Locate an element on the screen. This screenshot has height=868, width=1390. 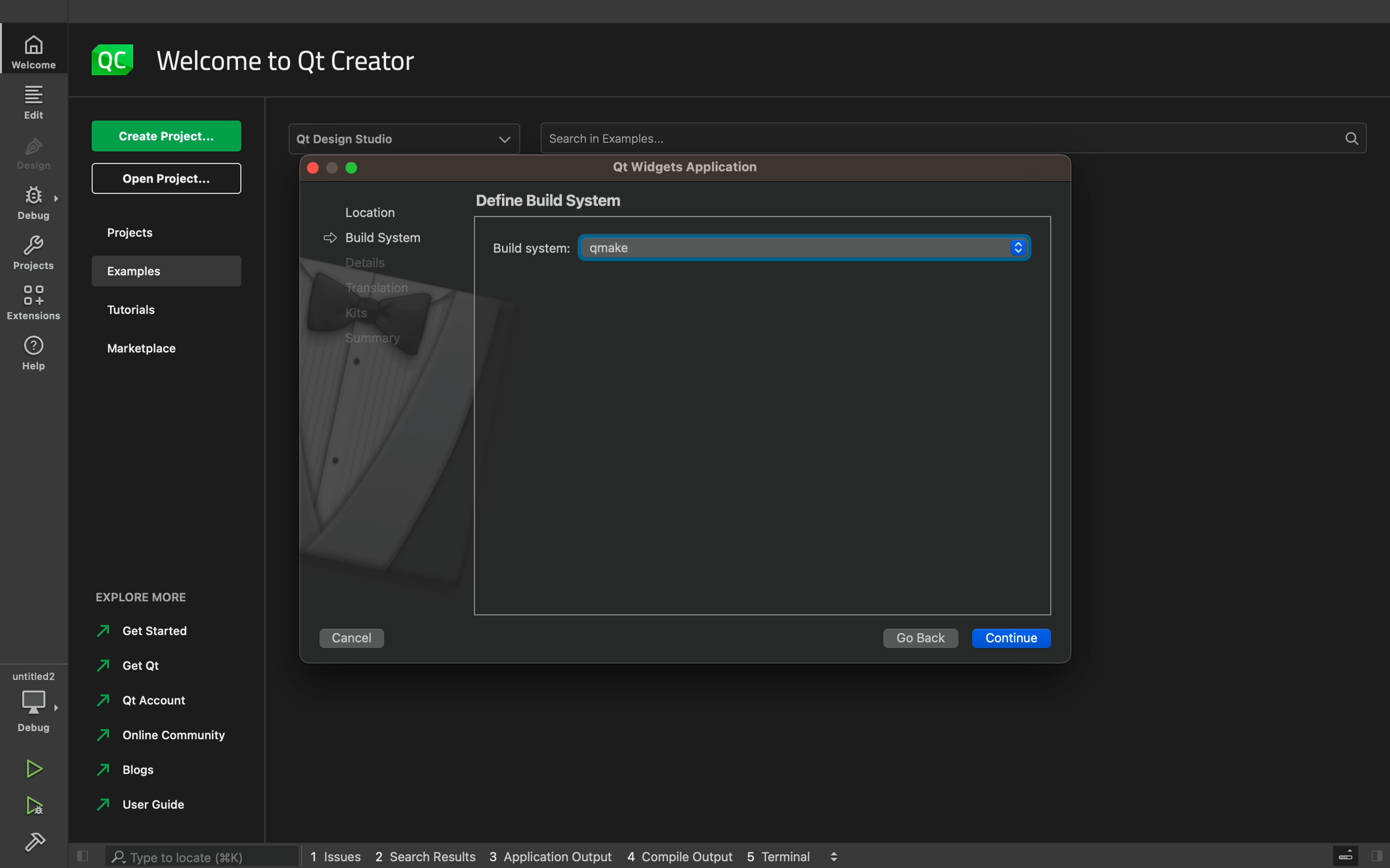
searchbar is located at coordinates (204, 853).